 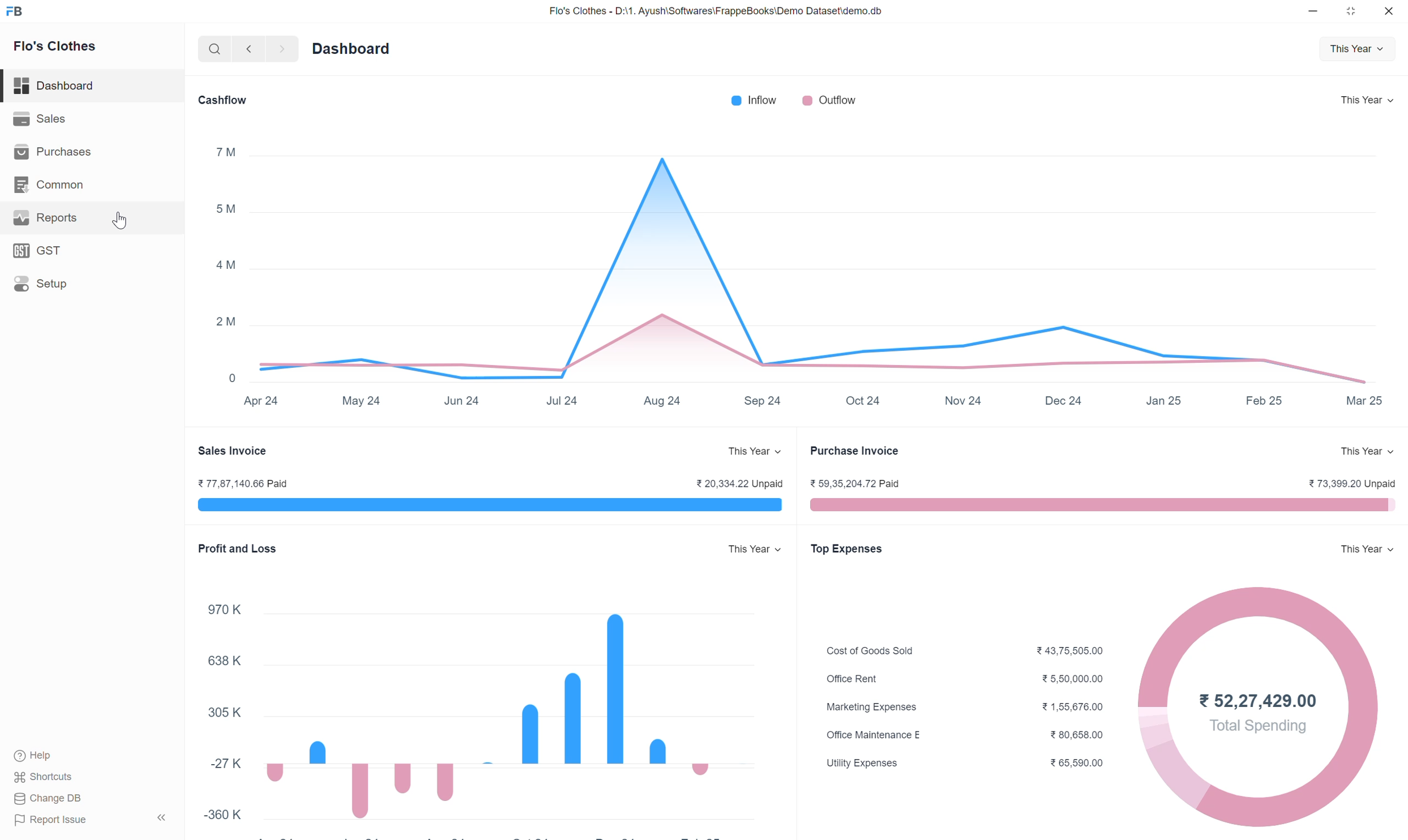 What do you see at coordinates (59, 85) in the screenshot?
I see `Dashboard` at bounding box center [59, 85].